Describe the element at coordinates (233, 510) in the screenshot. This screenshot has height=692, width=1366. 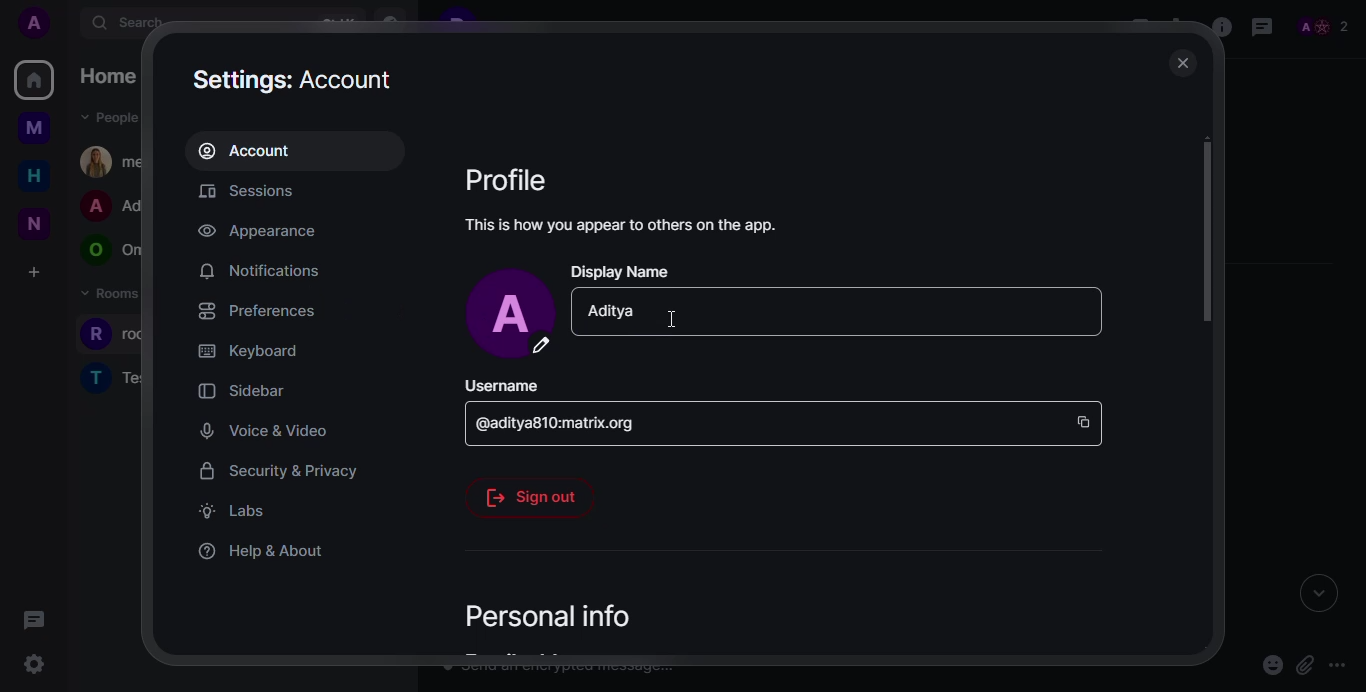
I see `labs` at that location.